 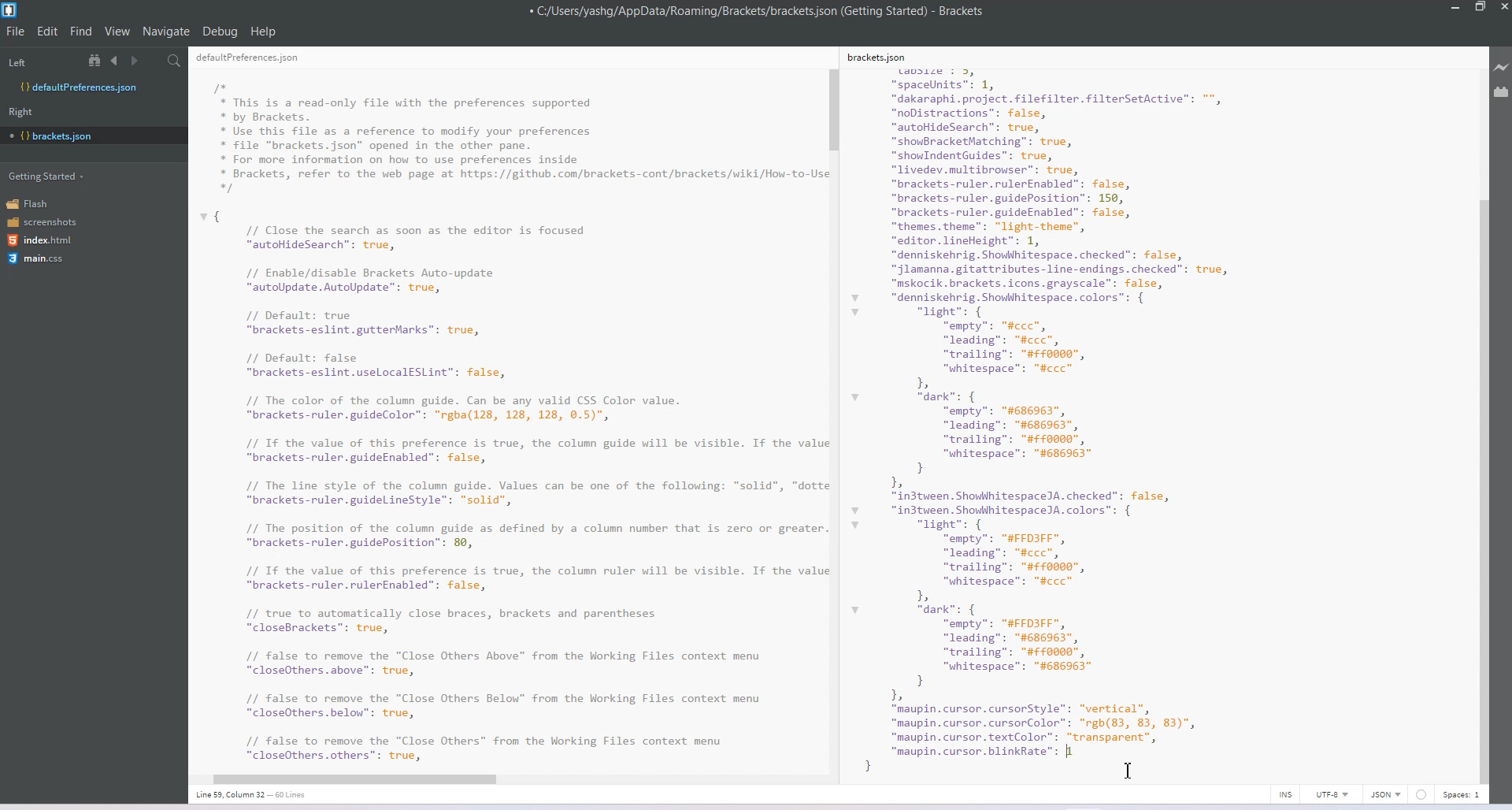 I want to click on Find, so click(x=82, y=31).